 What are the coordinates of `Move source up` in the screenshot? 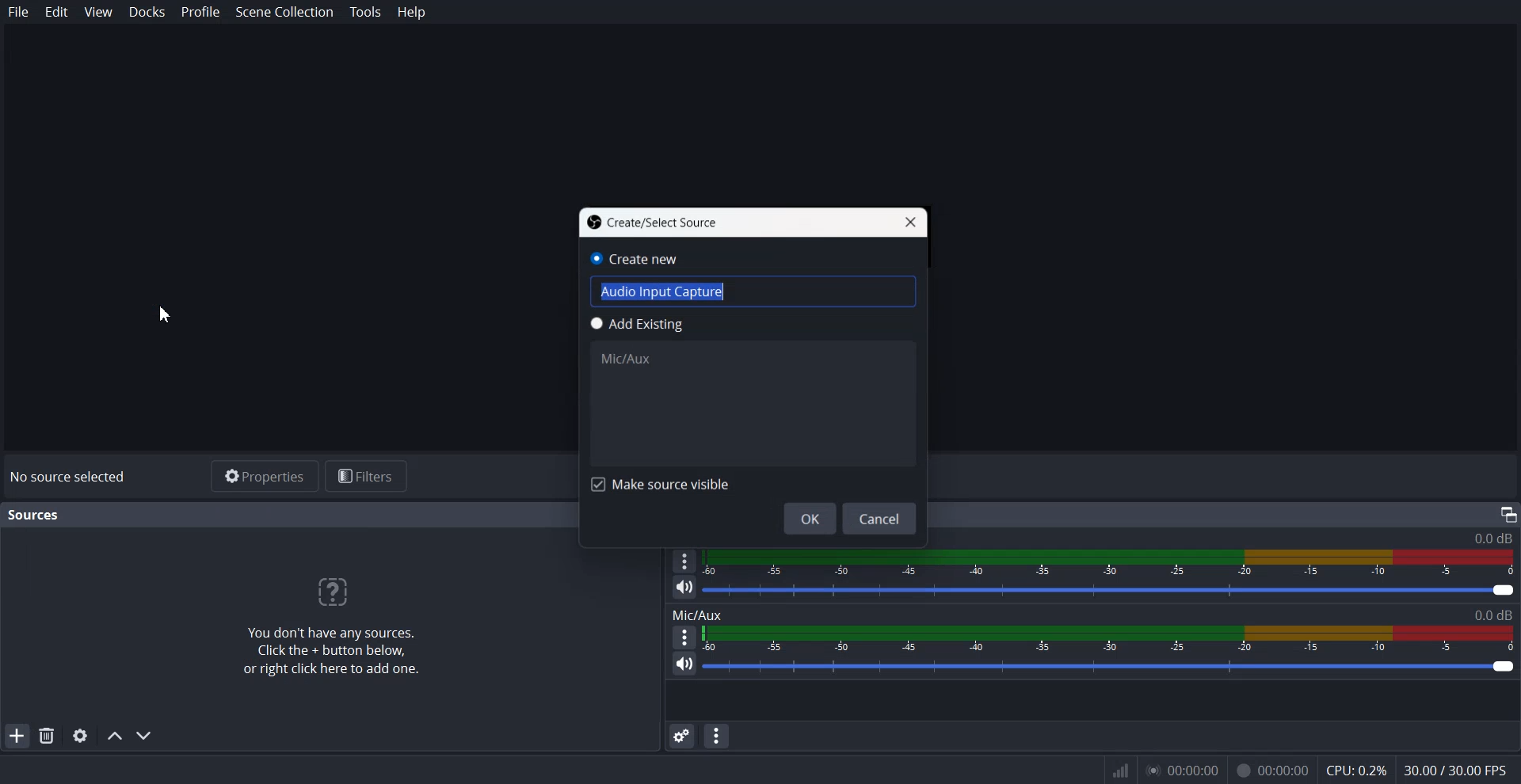 It's located at (115, 736).